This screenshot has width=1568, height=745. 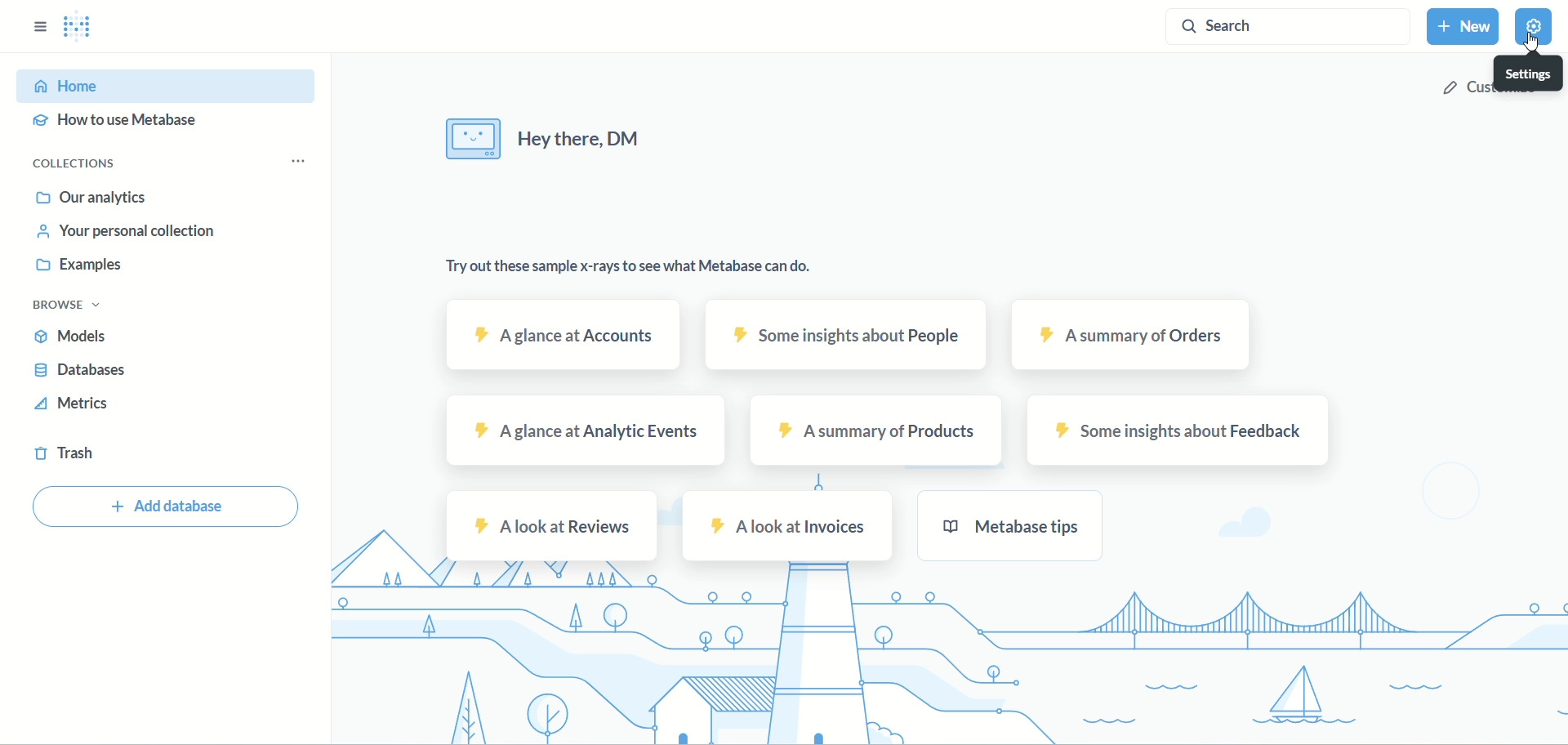 What do you see at coordinates (82, 370) in the screenshot?
I see `databases` at bounding box center [82, 370].